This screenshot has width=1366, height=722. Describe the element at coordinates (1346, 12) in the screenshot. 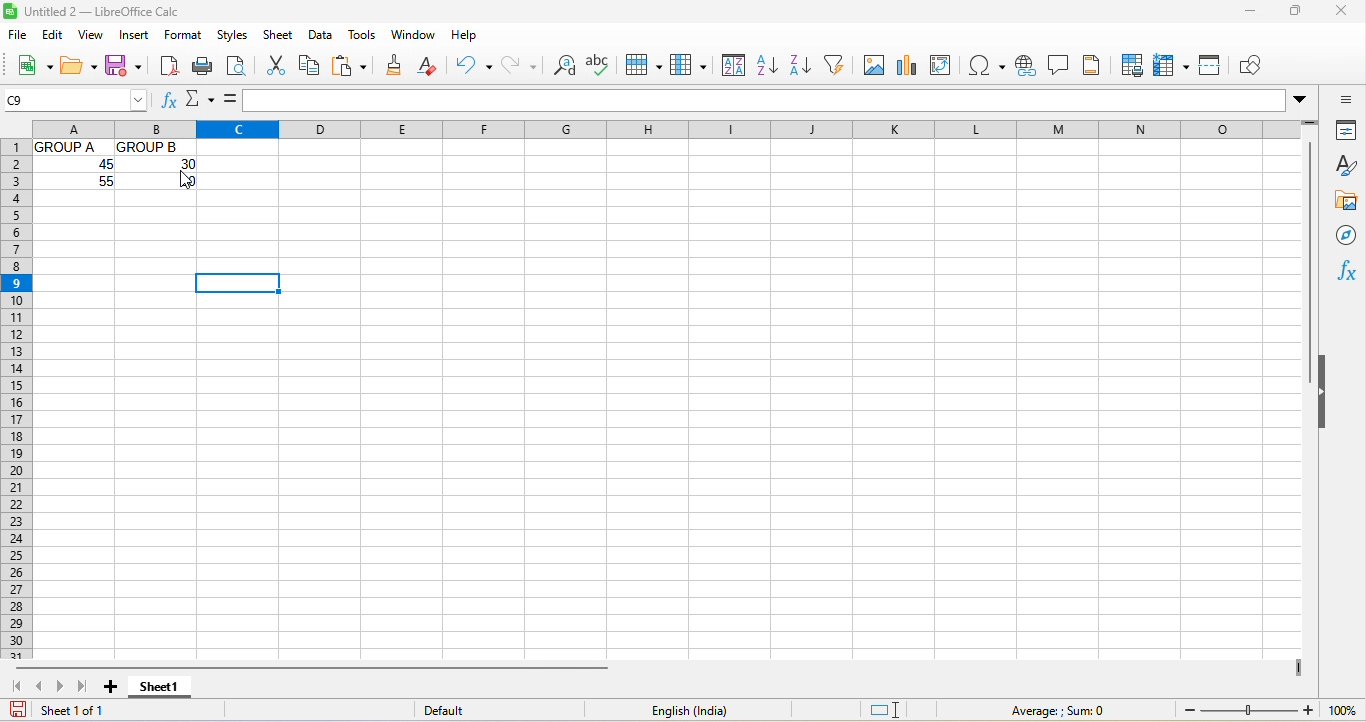

I see `close` at that location.